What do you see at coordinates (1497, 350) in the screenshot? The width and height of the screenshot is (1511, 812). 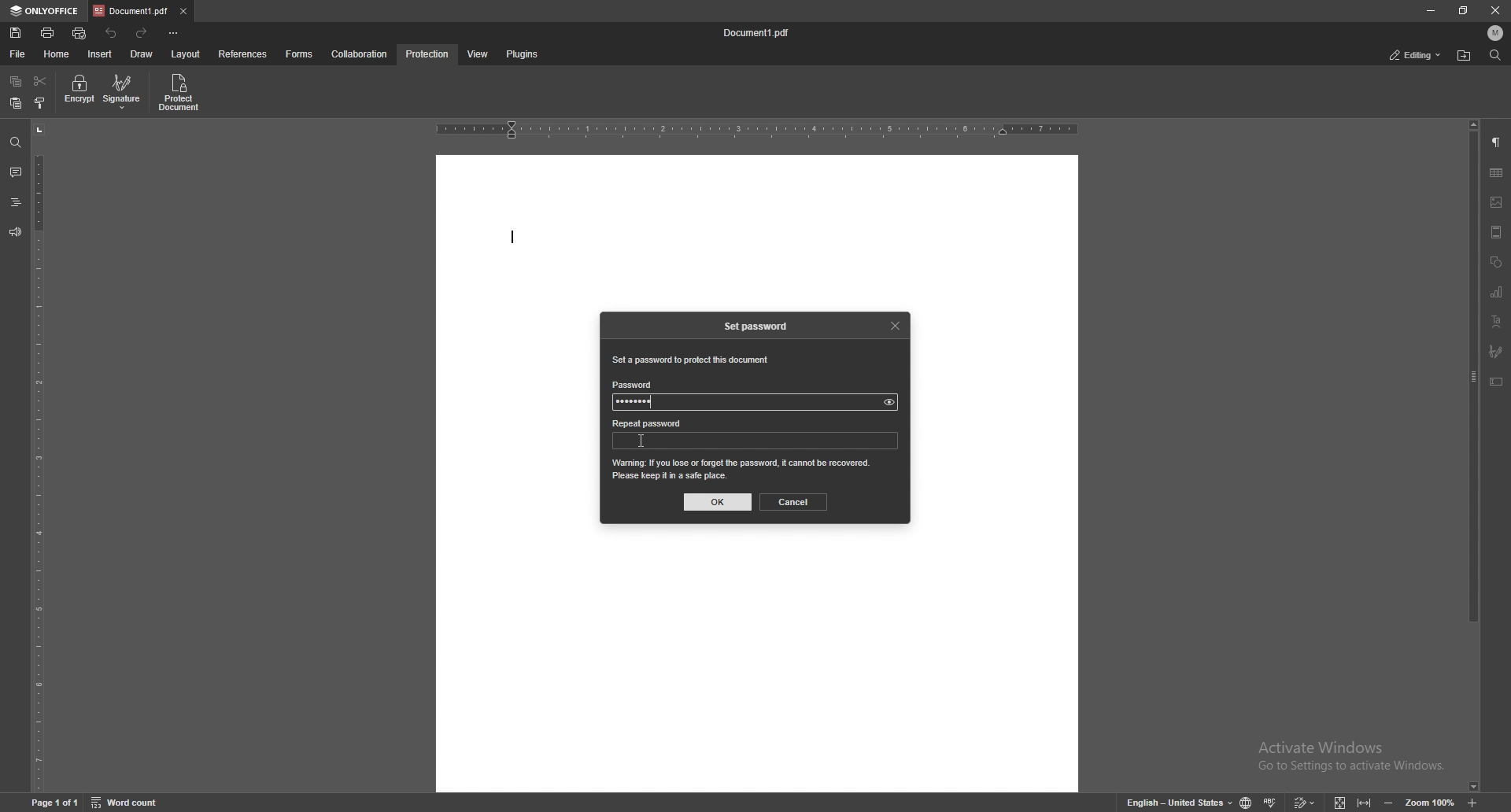 I see `signature field` at bounding box center [1497, 350].